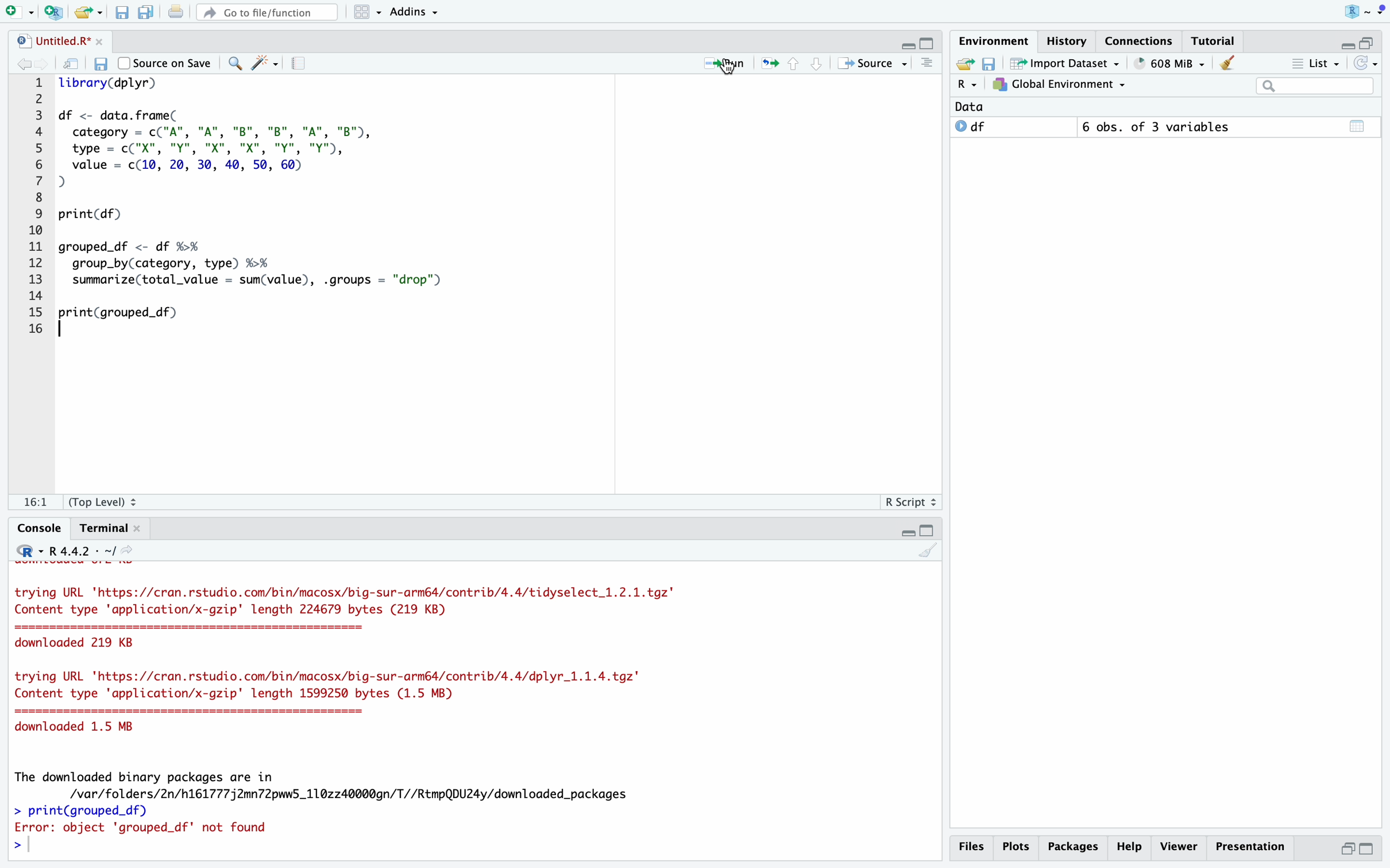  I want to click on Code Tools, so click(265, 63).